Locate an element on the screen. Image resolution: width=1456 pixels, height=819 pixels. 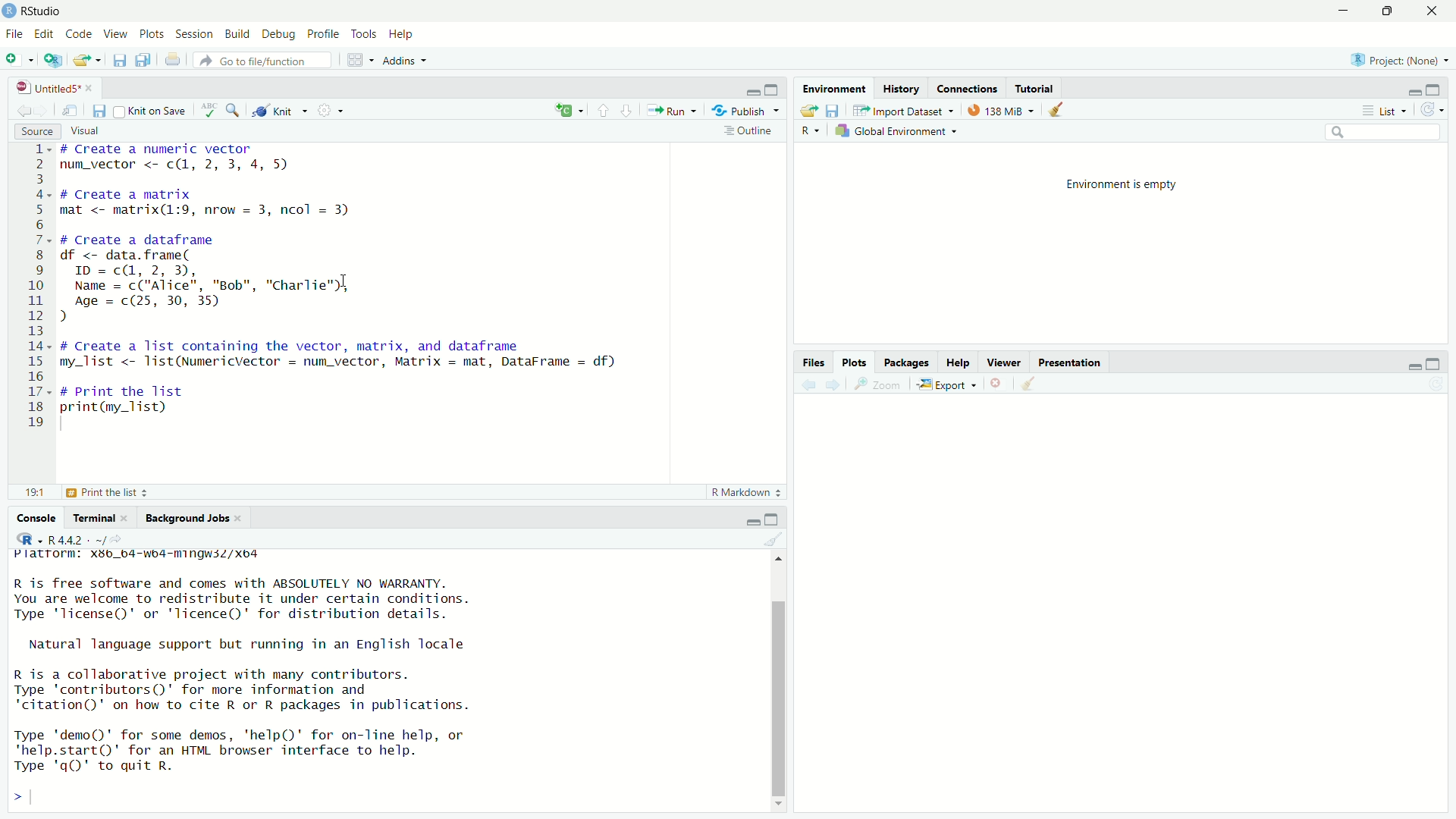
back is located at coordinates (810, 388).